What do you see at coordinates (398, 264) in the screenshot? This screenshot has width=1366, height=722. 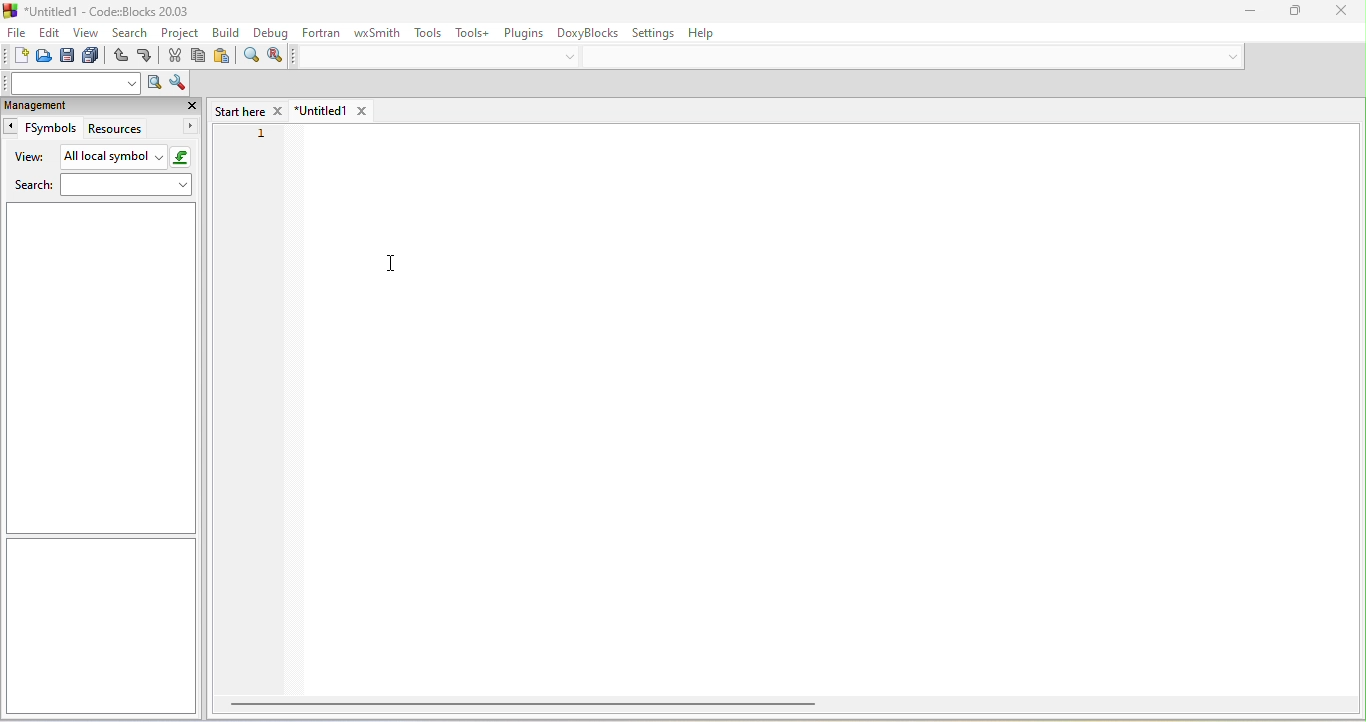 I see `cursor` at bounding box center [398, 264].